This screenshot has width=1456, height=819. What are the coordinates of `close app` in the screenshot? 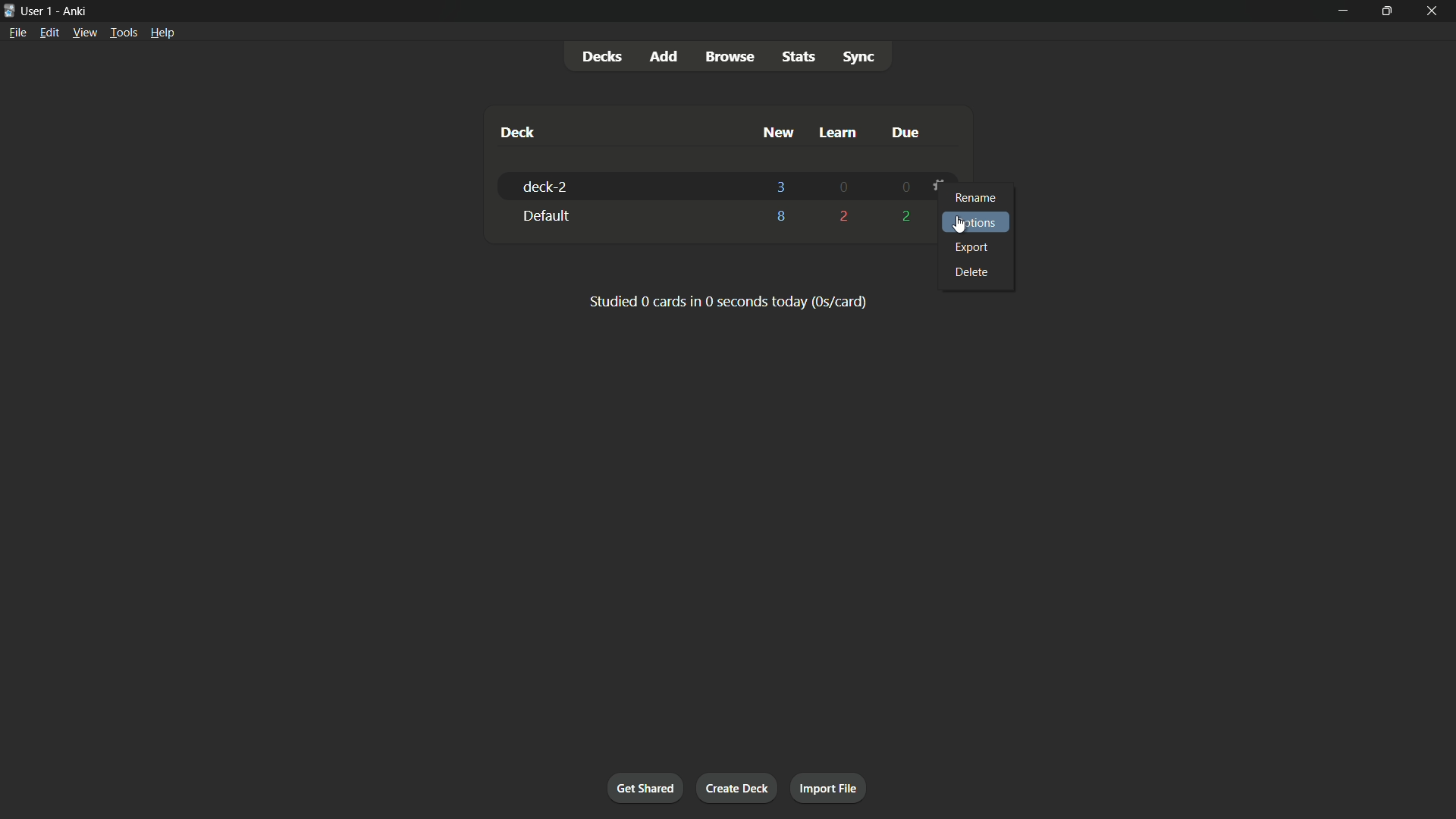 It's located at (1436, 10).